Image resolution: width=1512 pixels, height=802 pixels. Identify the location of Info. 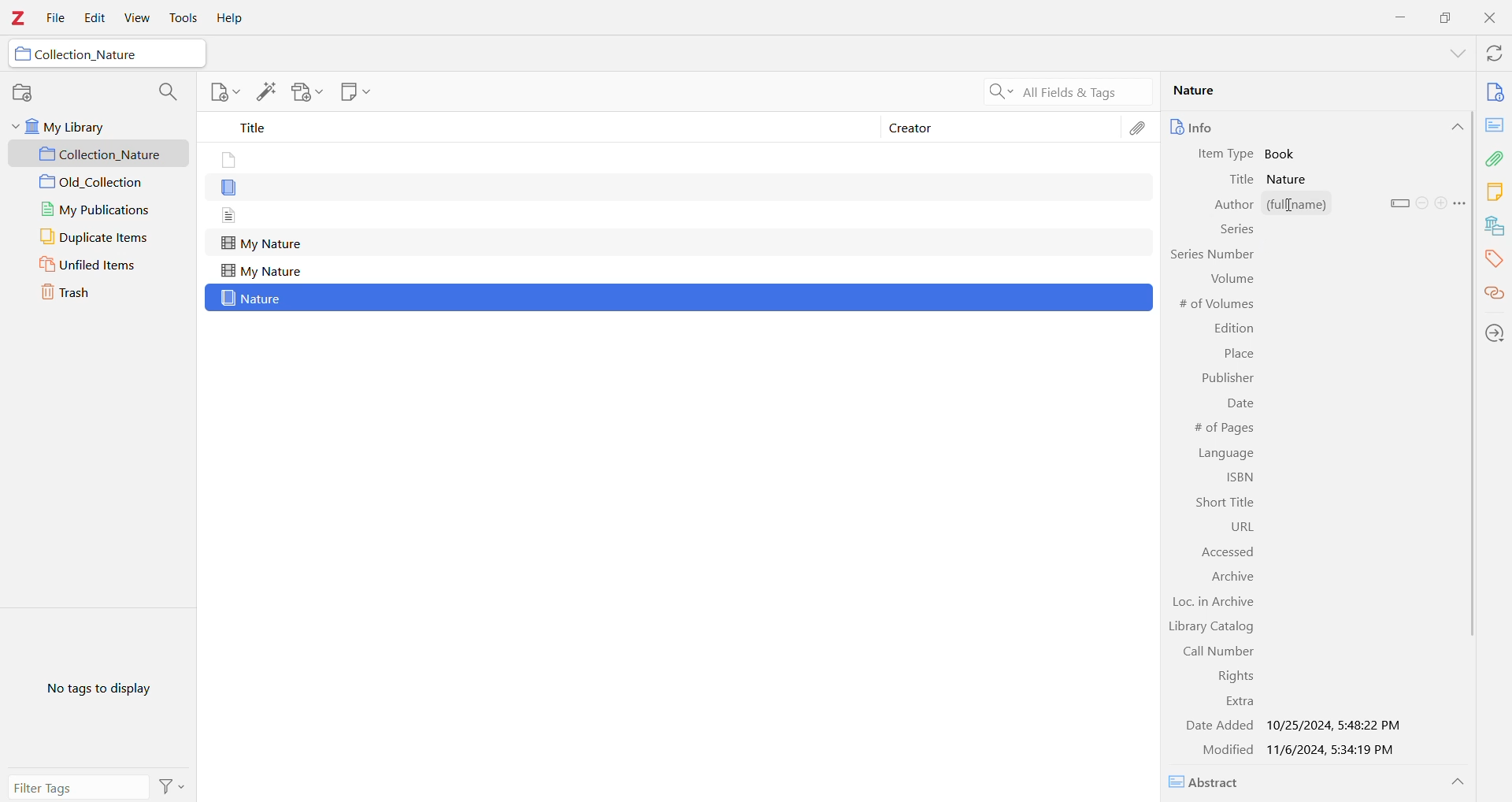
(1223, 127).